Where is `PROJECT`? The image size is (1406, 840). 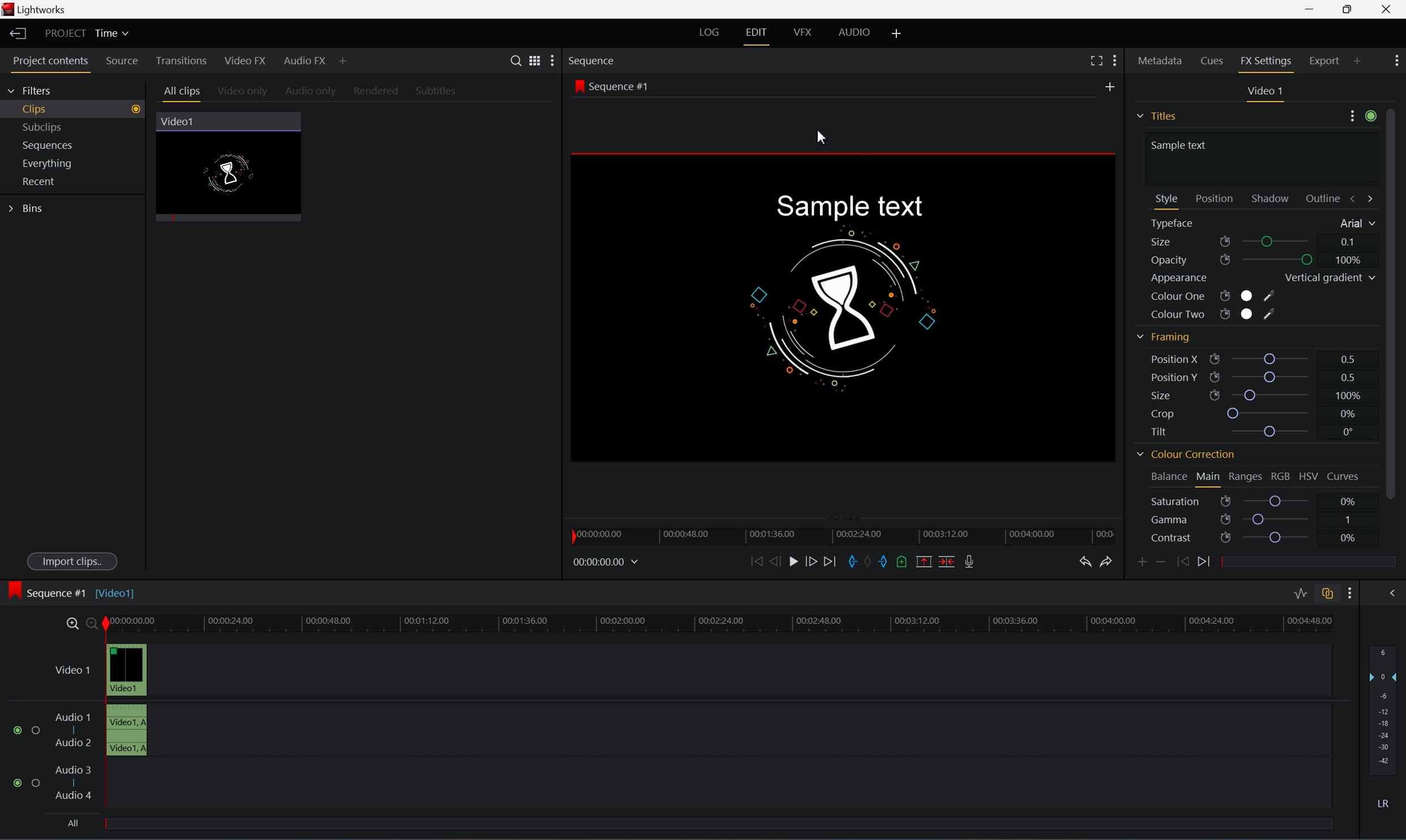
PROJECT is located at coordinates (67, 33).